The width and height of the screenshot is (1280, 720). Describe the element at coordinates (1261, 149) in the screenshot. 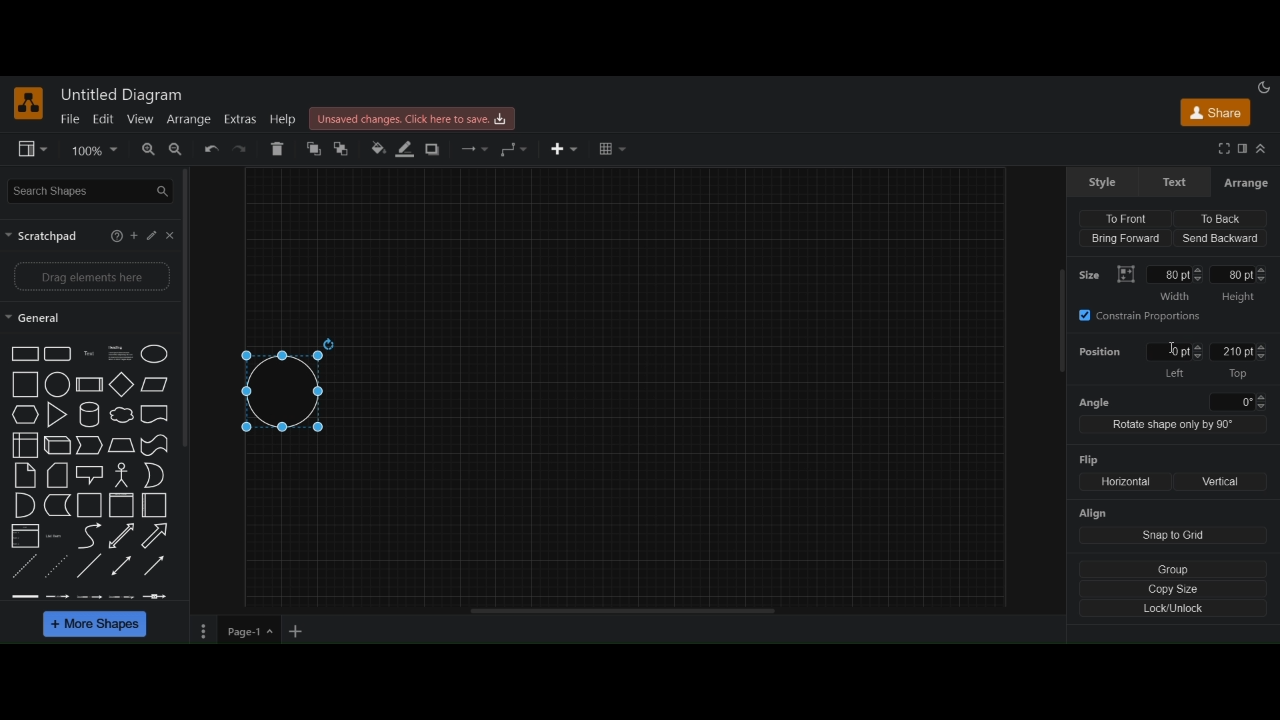

I see `collapse/expand` at that location.